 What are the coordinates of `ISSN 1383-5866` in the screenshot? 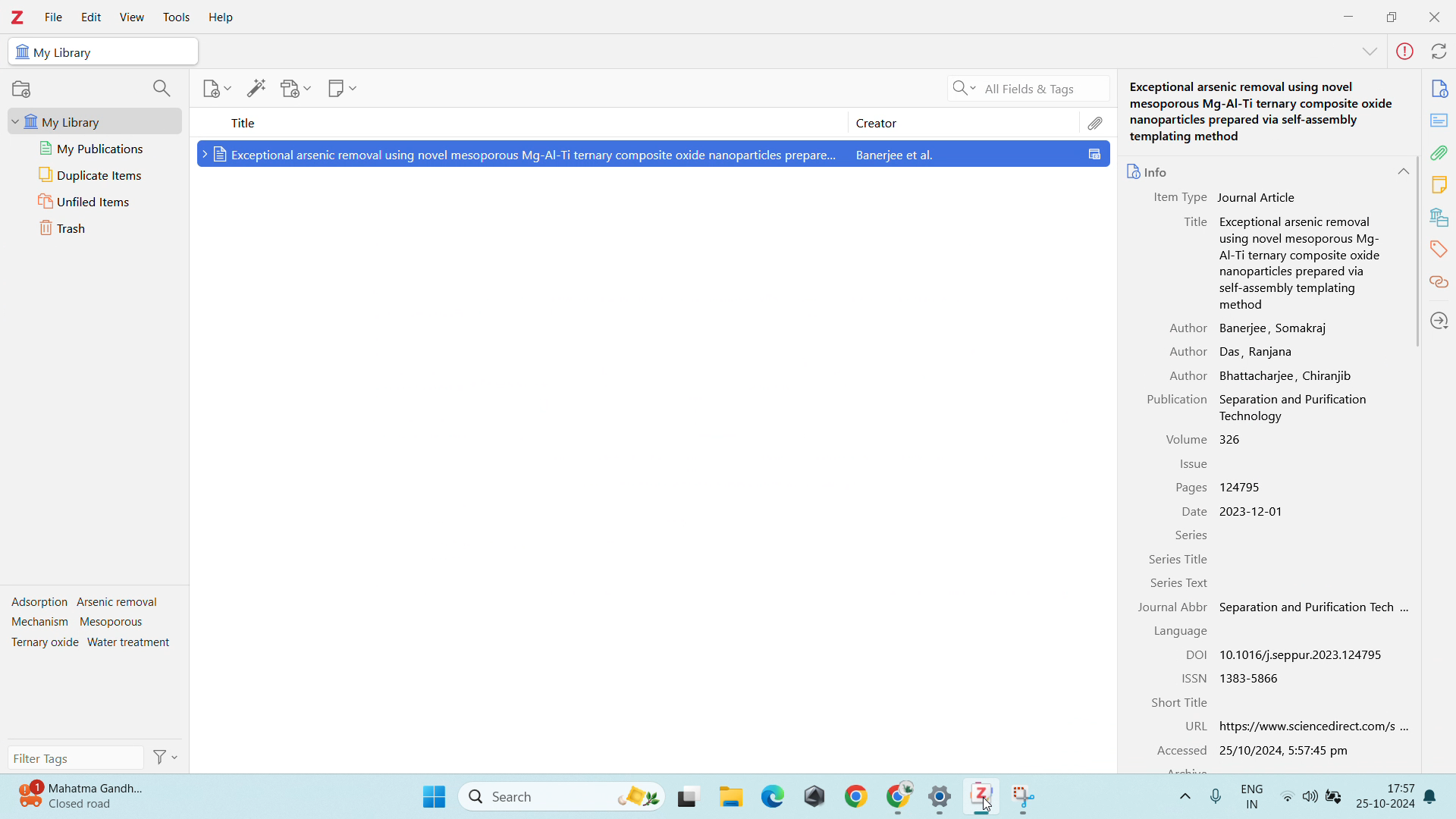 It's located at (1233, 677).